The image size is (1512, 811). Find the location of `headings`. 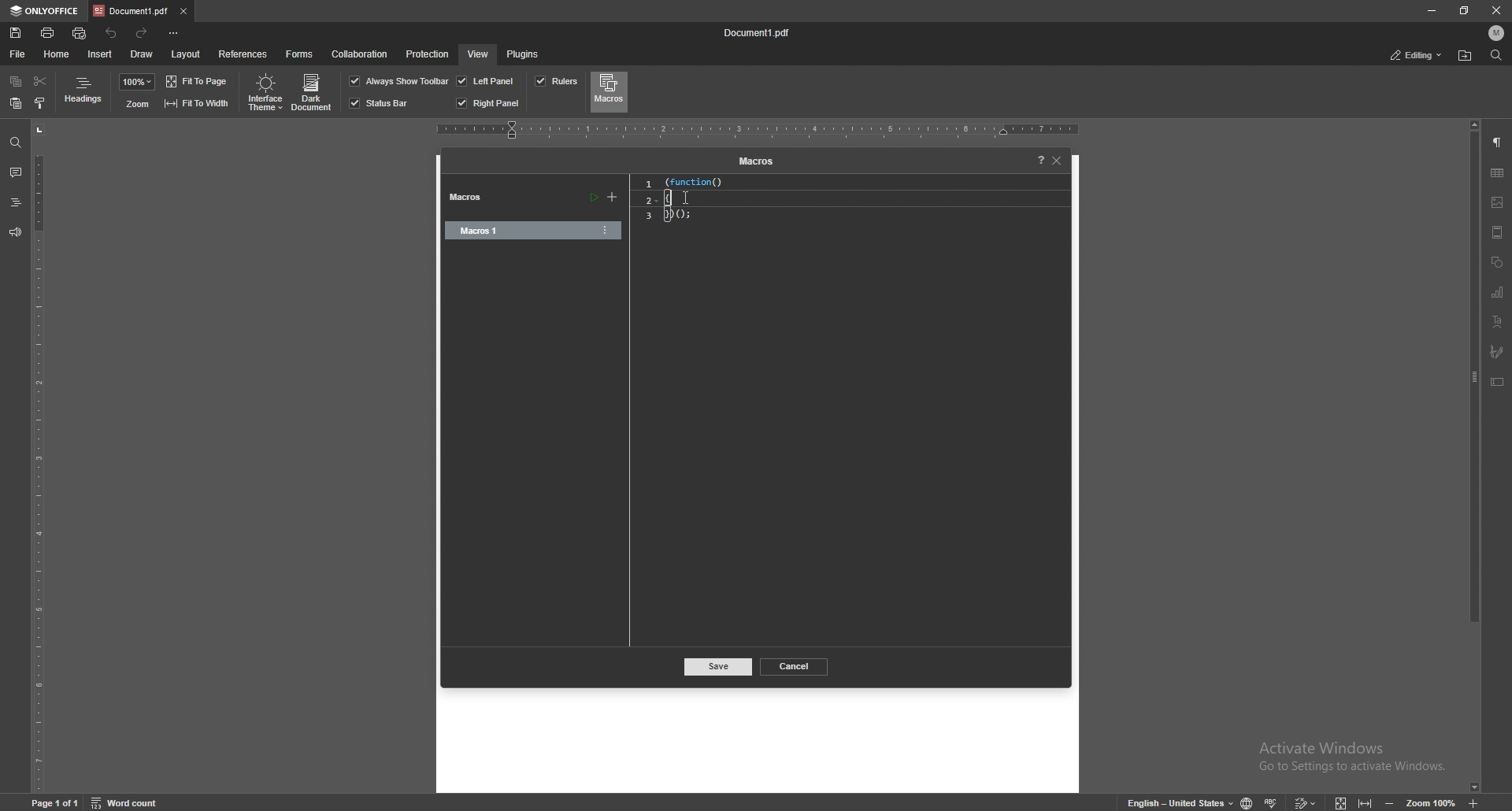

headings is located at coordinates (84, 93).